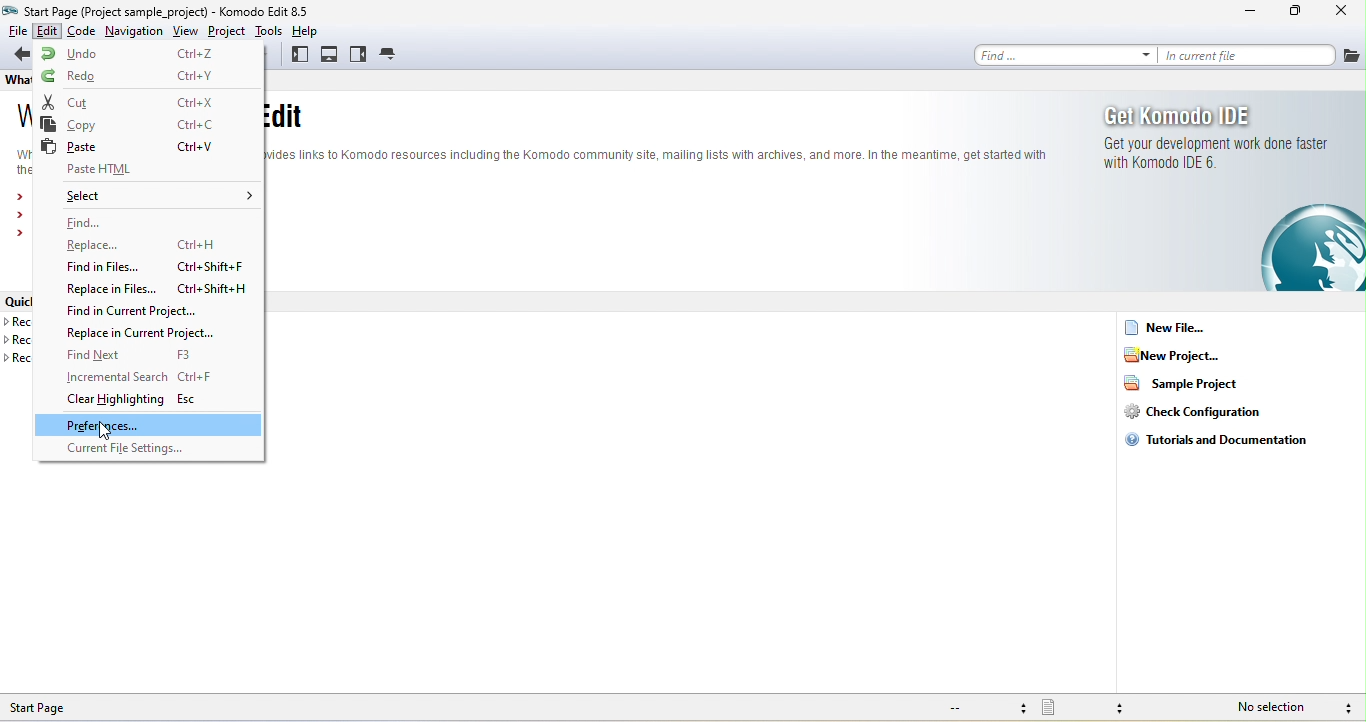 This screenshot has height=722, width=1366. Describe the element at coordinates (1251, 56) in the screenshot. I see `in current file` at that location.